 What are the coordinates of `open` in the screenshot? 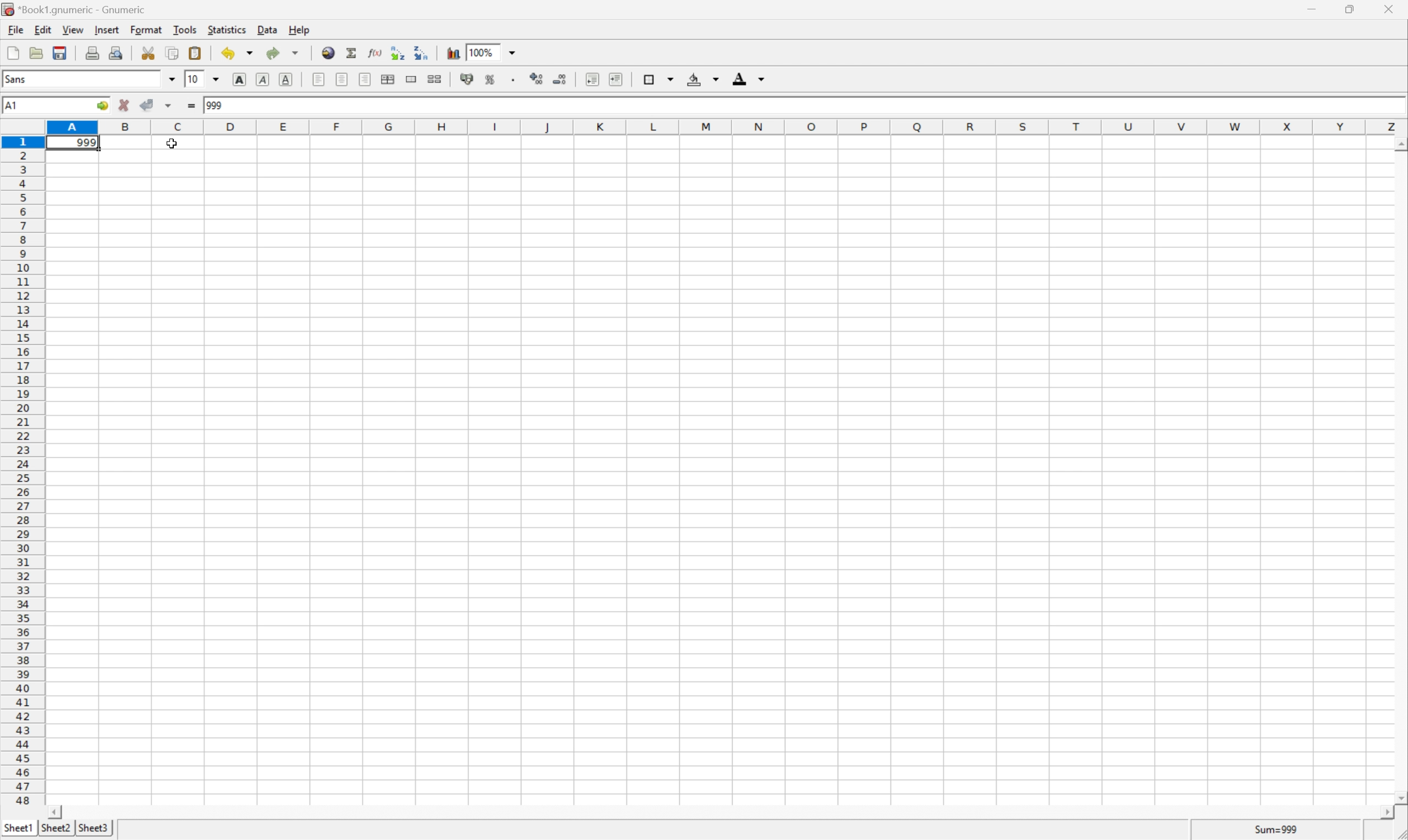 It's located at (36, 51).